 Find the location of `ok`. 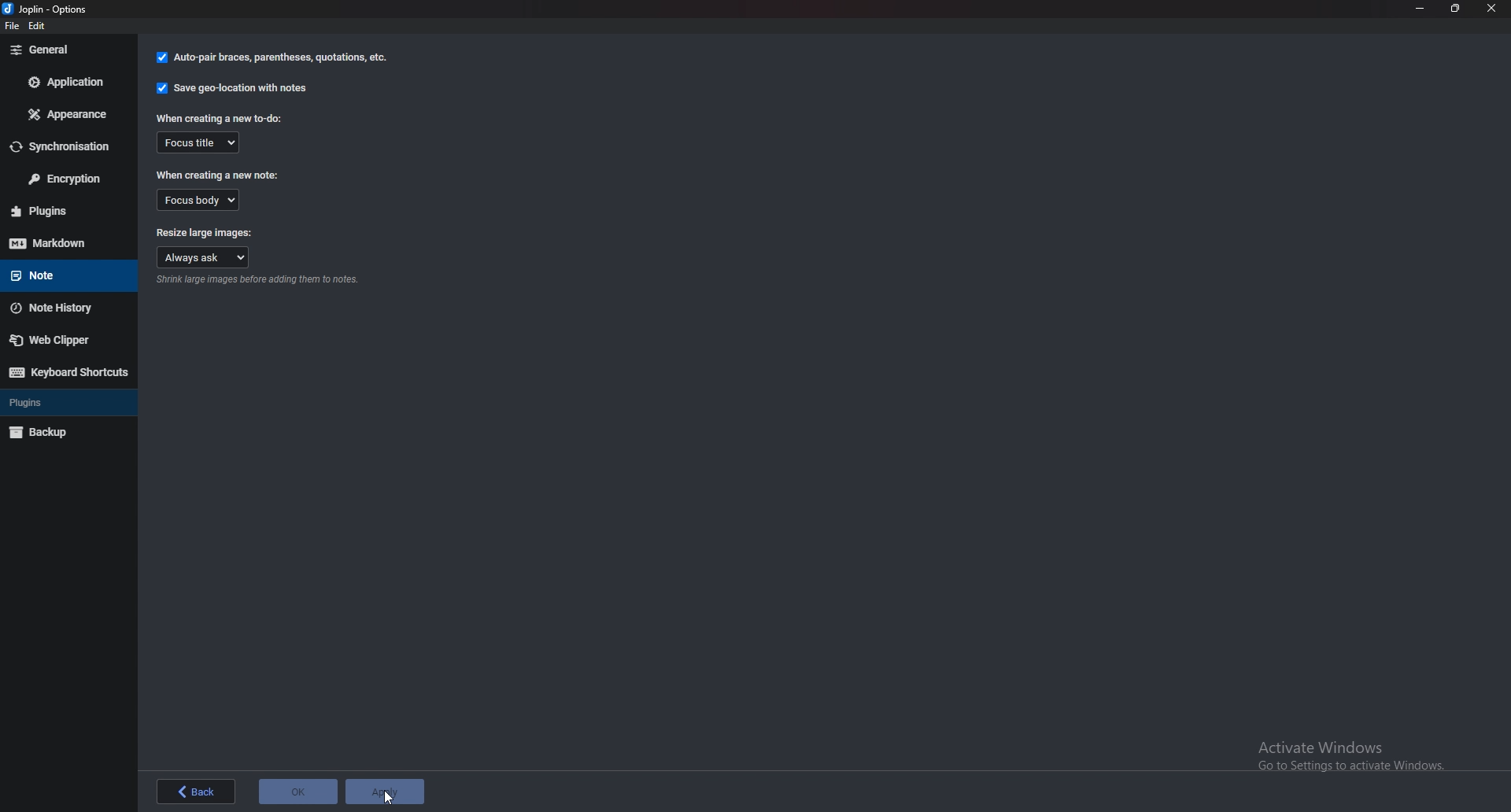

ok is located at coordinates (297, 790).